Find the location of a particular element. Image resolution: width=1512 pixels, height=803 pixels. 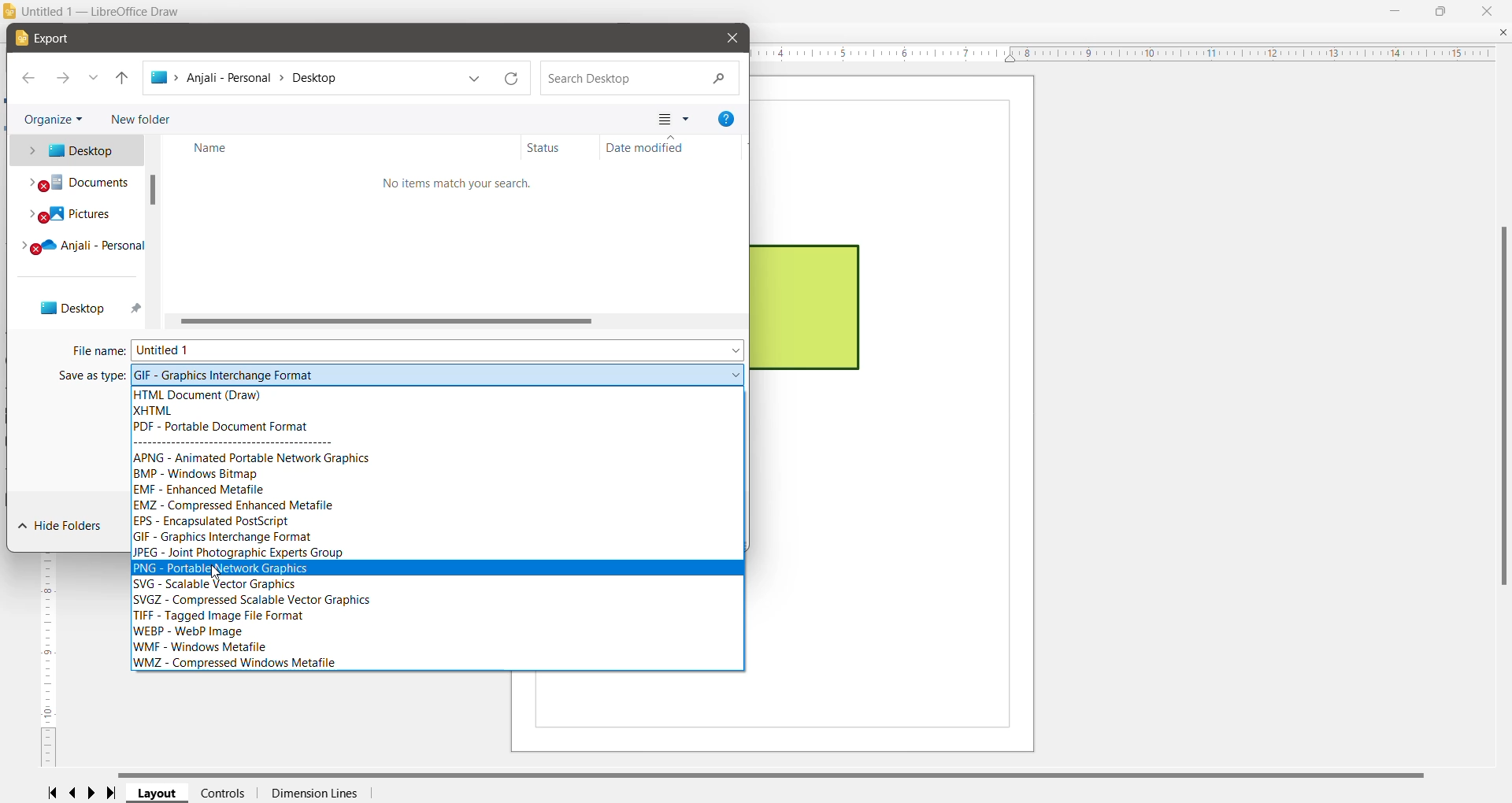

Available File types is located at coordinates (437, 528).